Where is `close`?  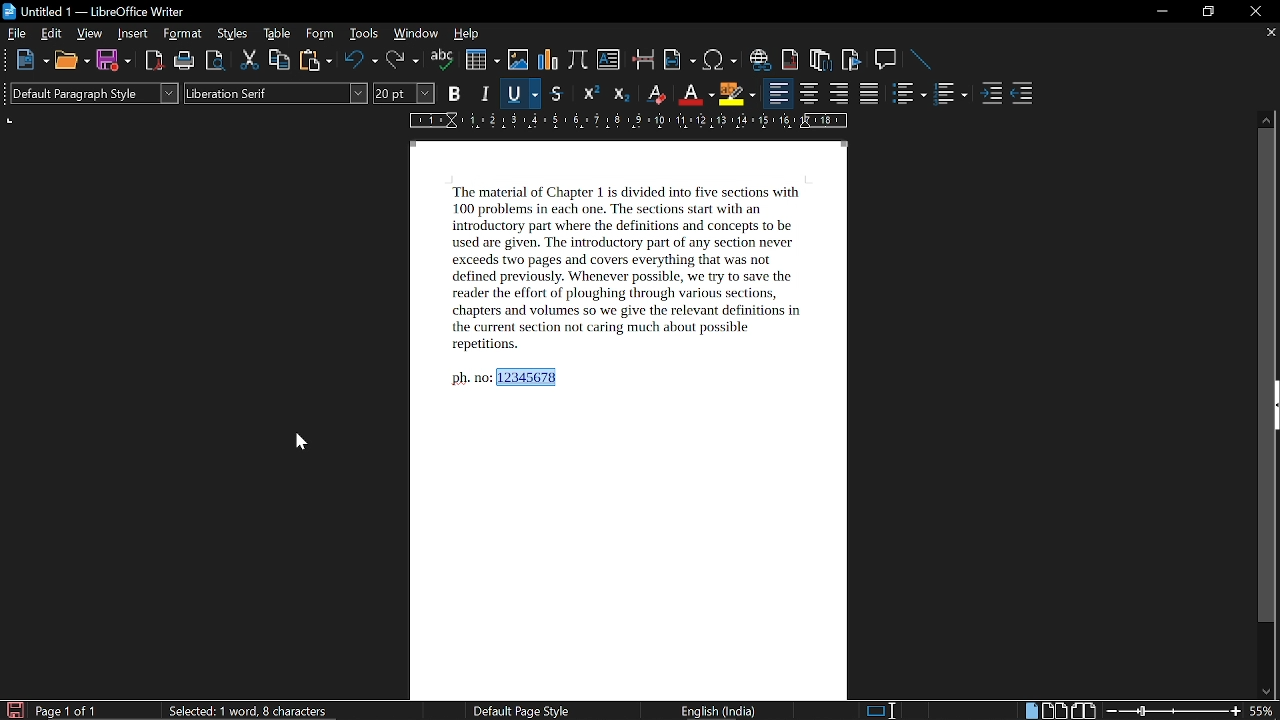 close is located at coordinates (1257, 11).